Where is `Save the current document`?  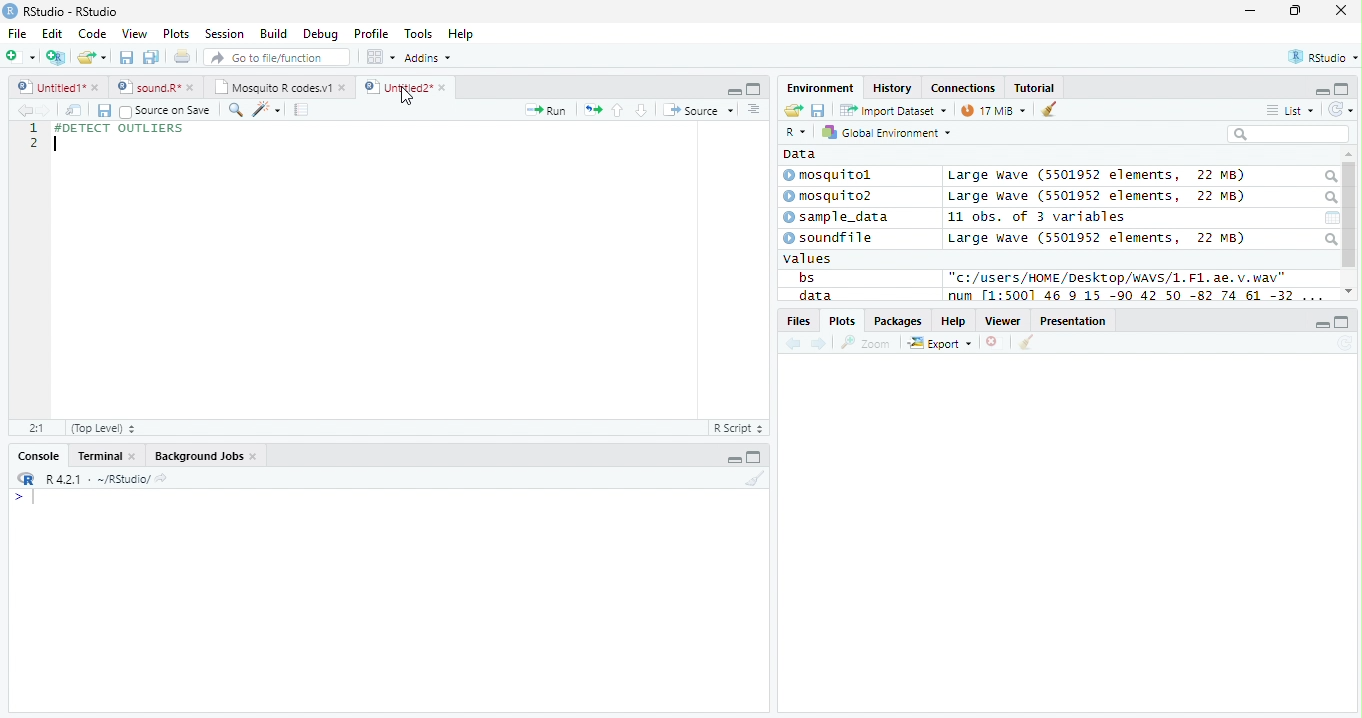 Save the current document is located at coordinates (126, 57).